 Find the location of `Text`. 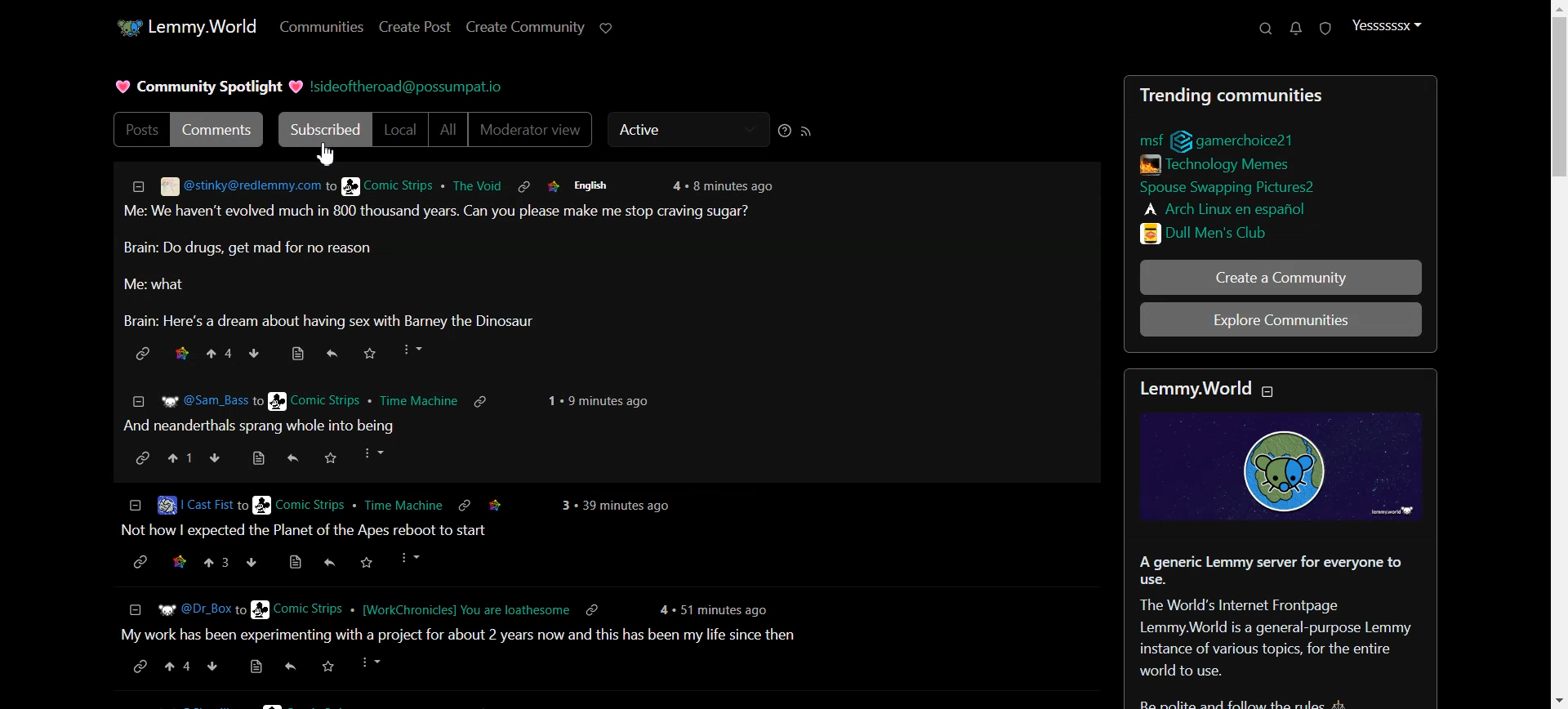

Text is located at coordinates (208, 88).